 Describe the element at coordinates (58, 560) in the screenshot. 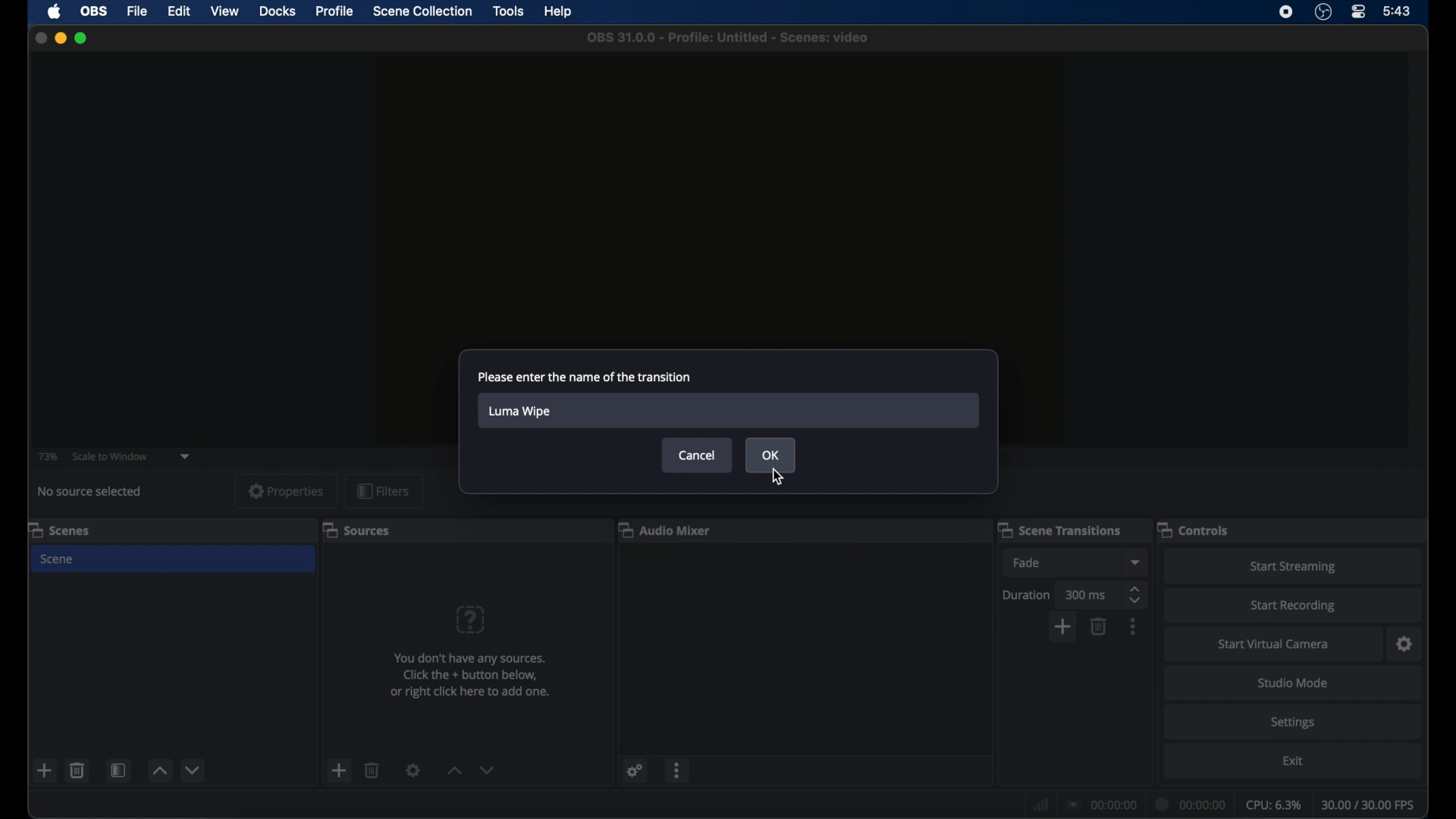

I see `scene` at that location.